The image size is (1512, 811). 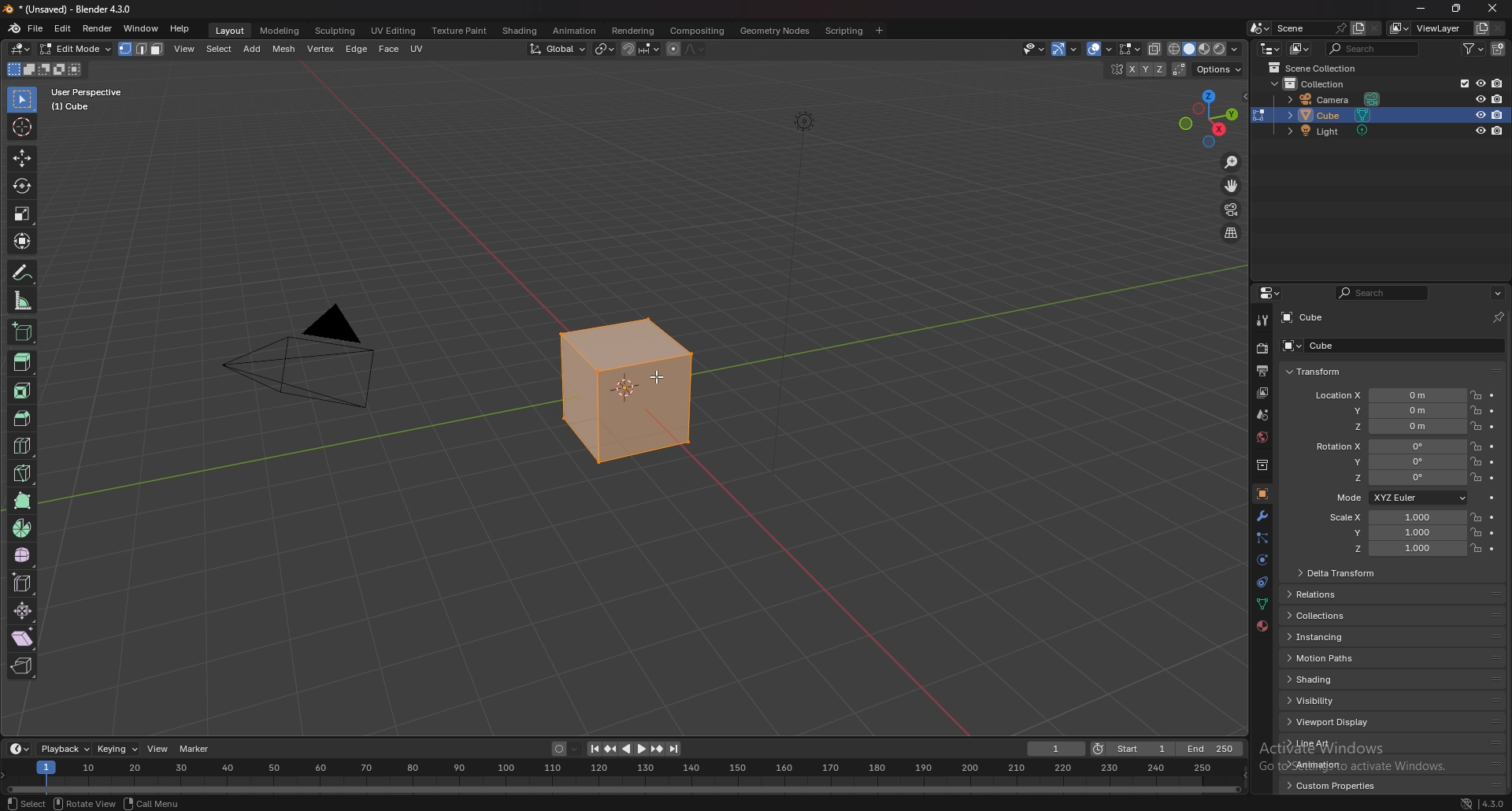 I want to click on output, so click(x=1262, y=371).